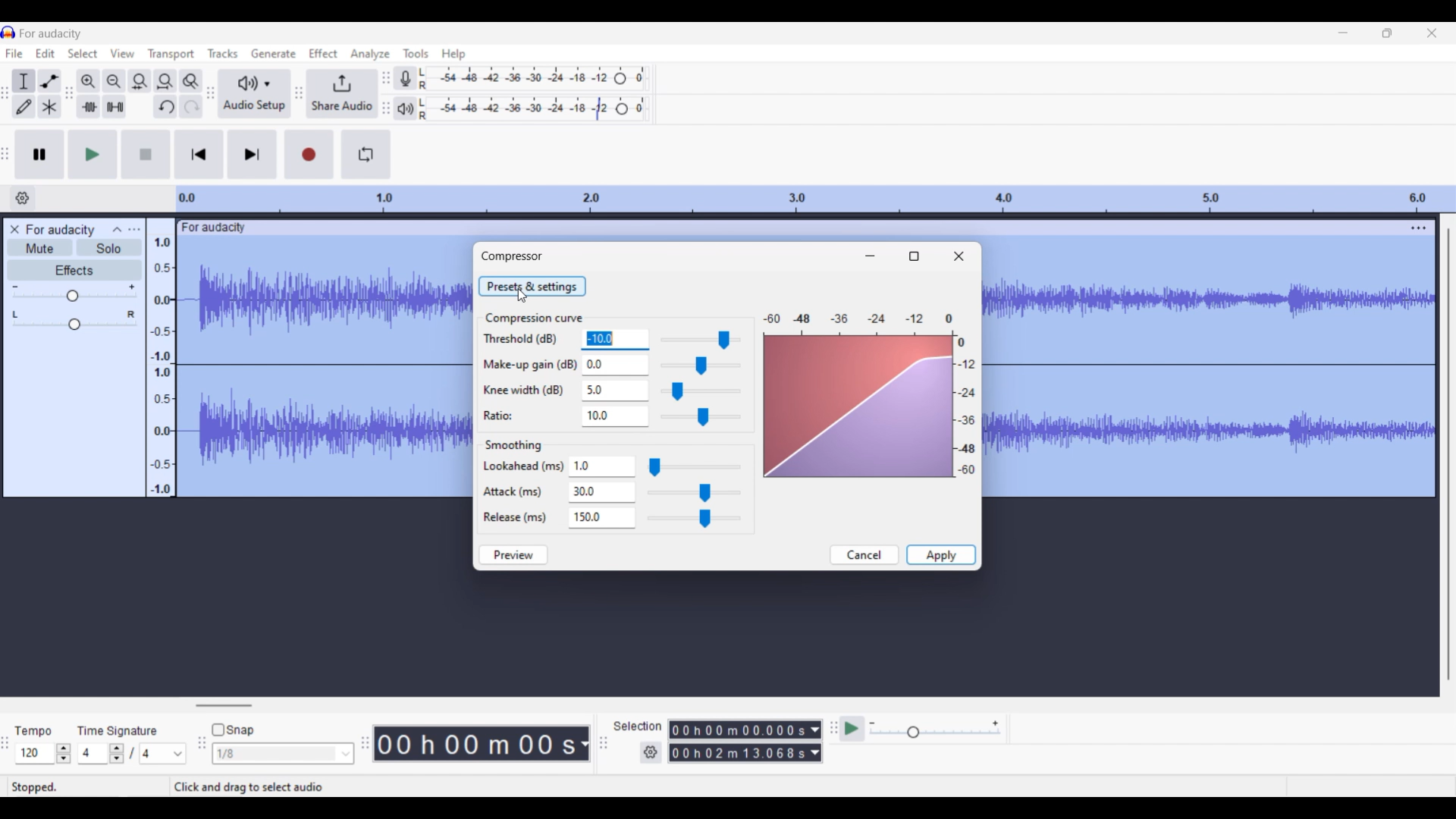  What do you see at coordinates (454, 55) in the screenshot?
I see `Help` at bounding box center [454, 55].